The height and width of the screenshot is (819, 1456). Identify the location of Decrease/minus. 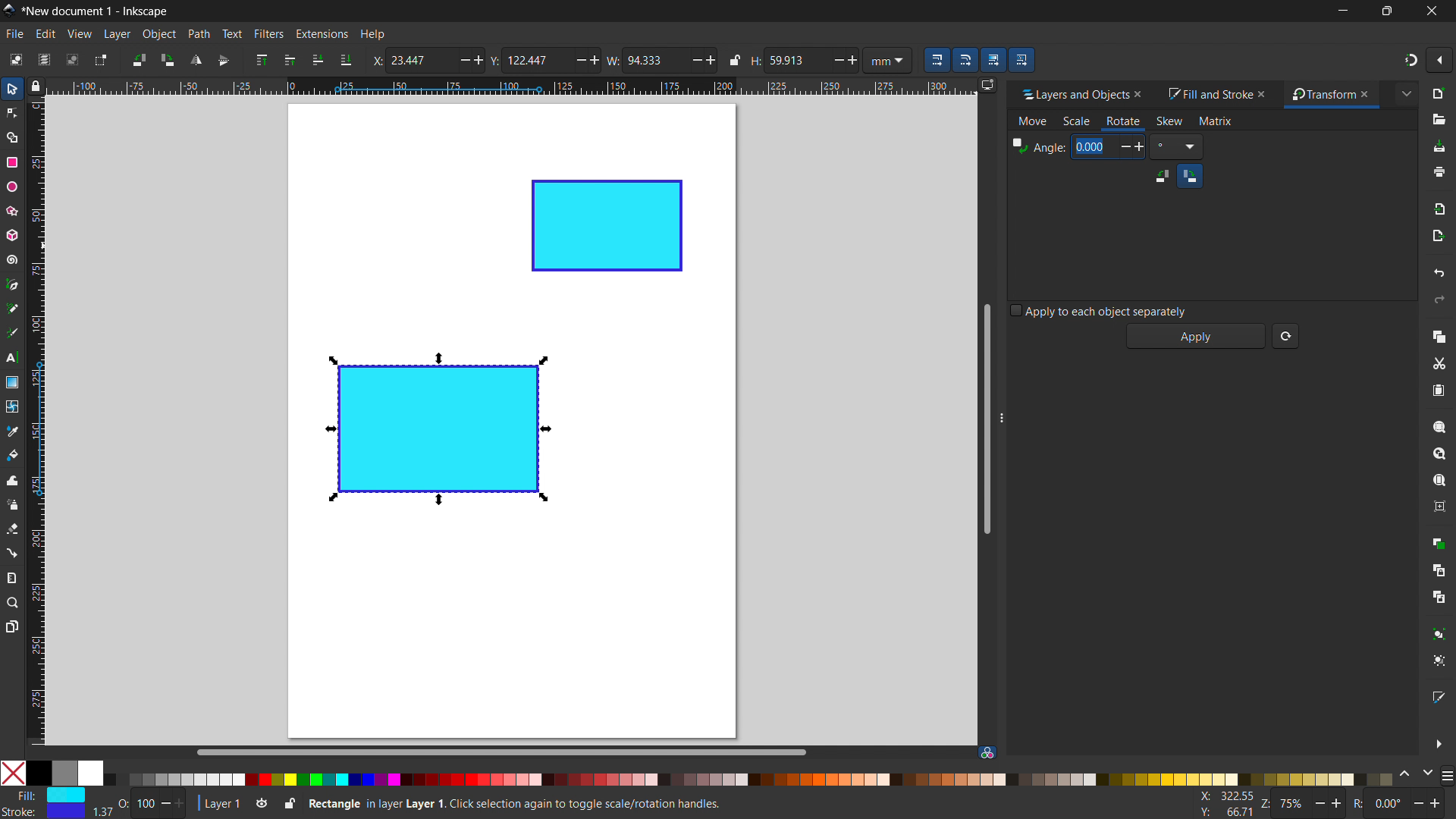
(691, 59).